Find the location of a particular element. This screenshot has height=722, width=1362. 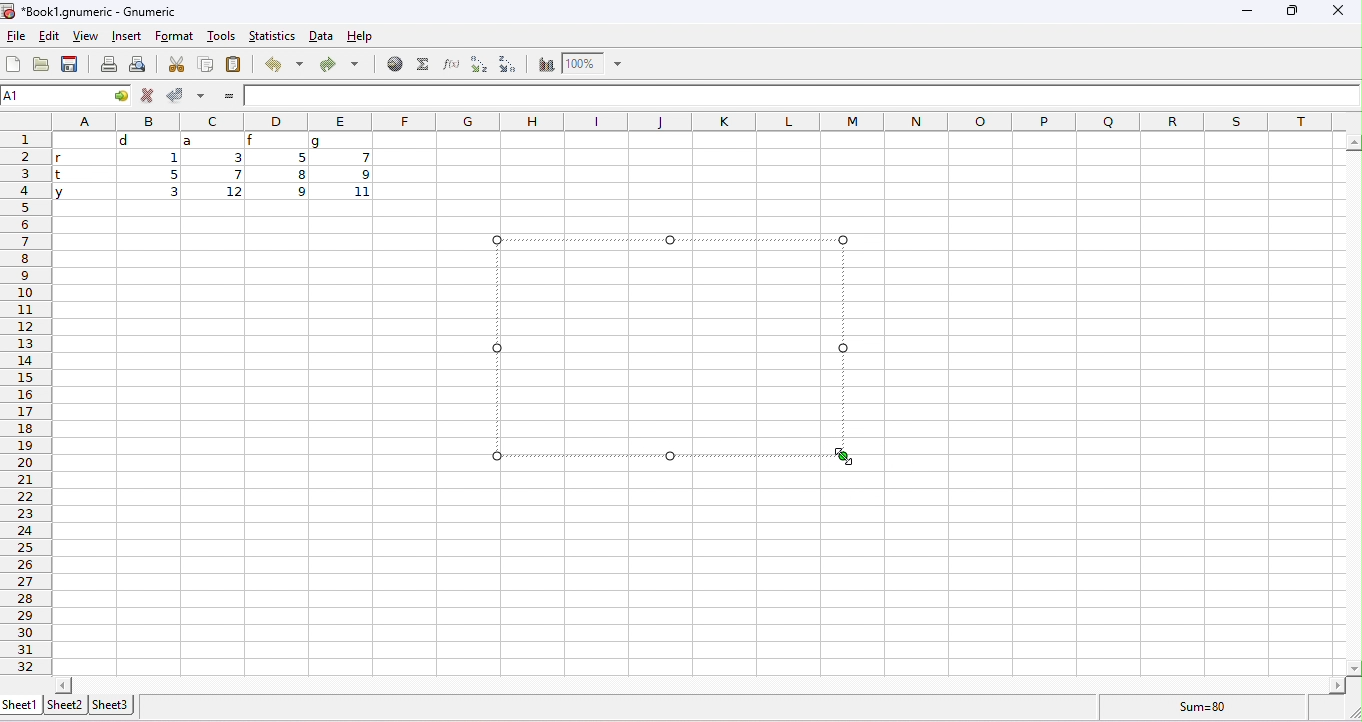

print preview is located at coordinates (141, 64).